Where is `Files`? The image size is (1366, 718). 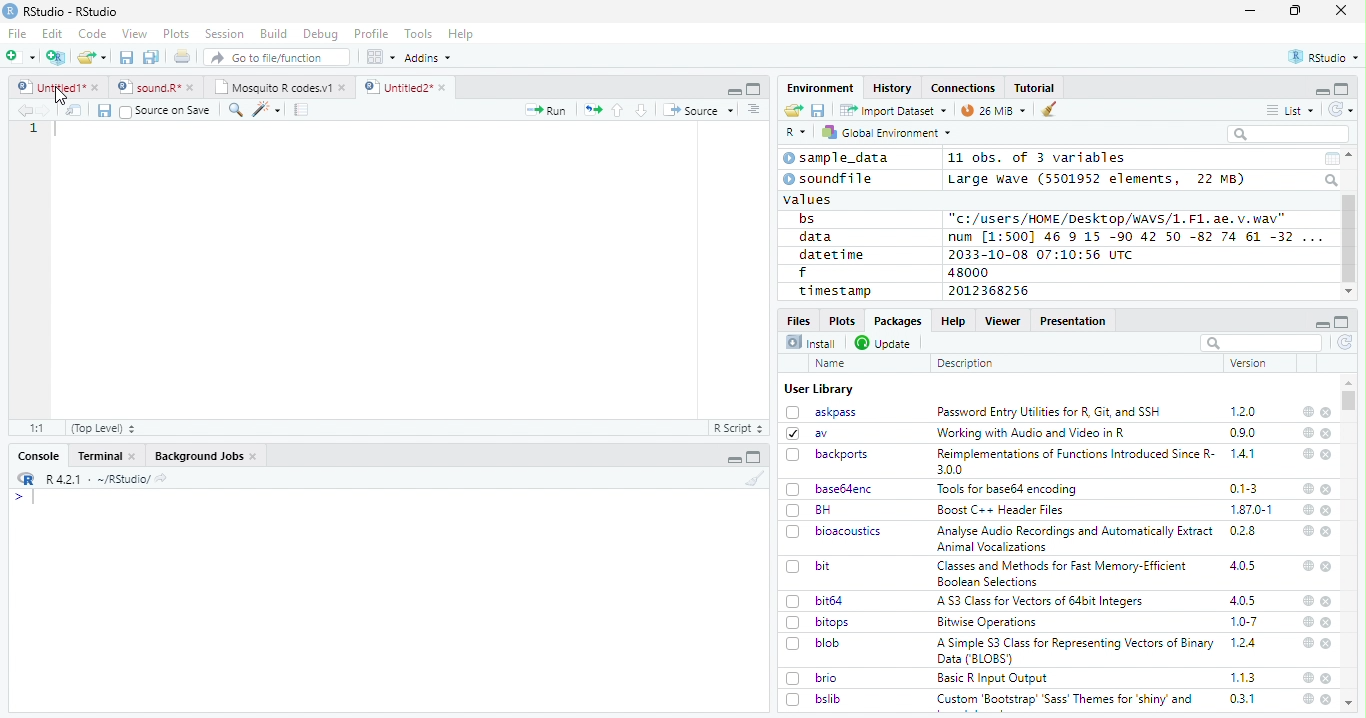
Files is located at coordinates (800, 319).